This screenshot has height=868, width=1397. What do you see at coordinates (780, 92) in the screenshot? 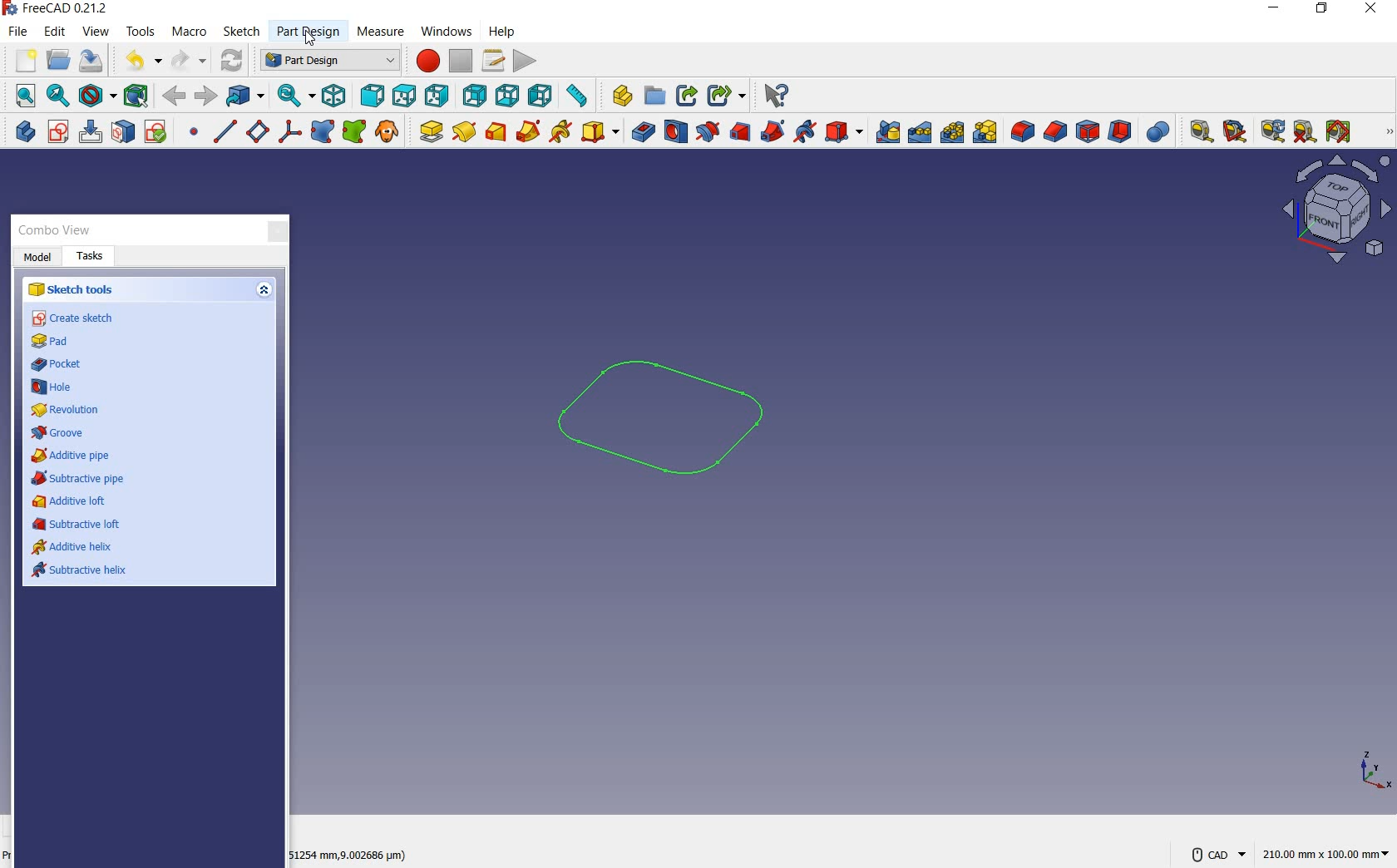
I see `Help` at bounding box center [780, 92].